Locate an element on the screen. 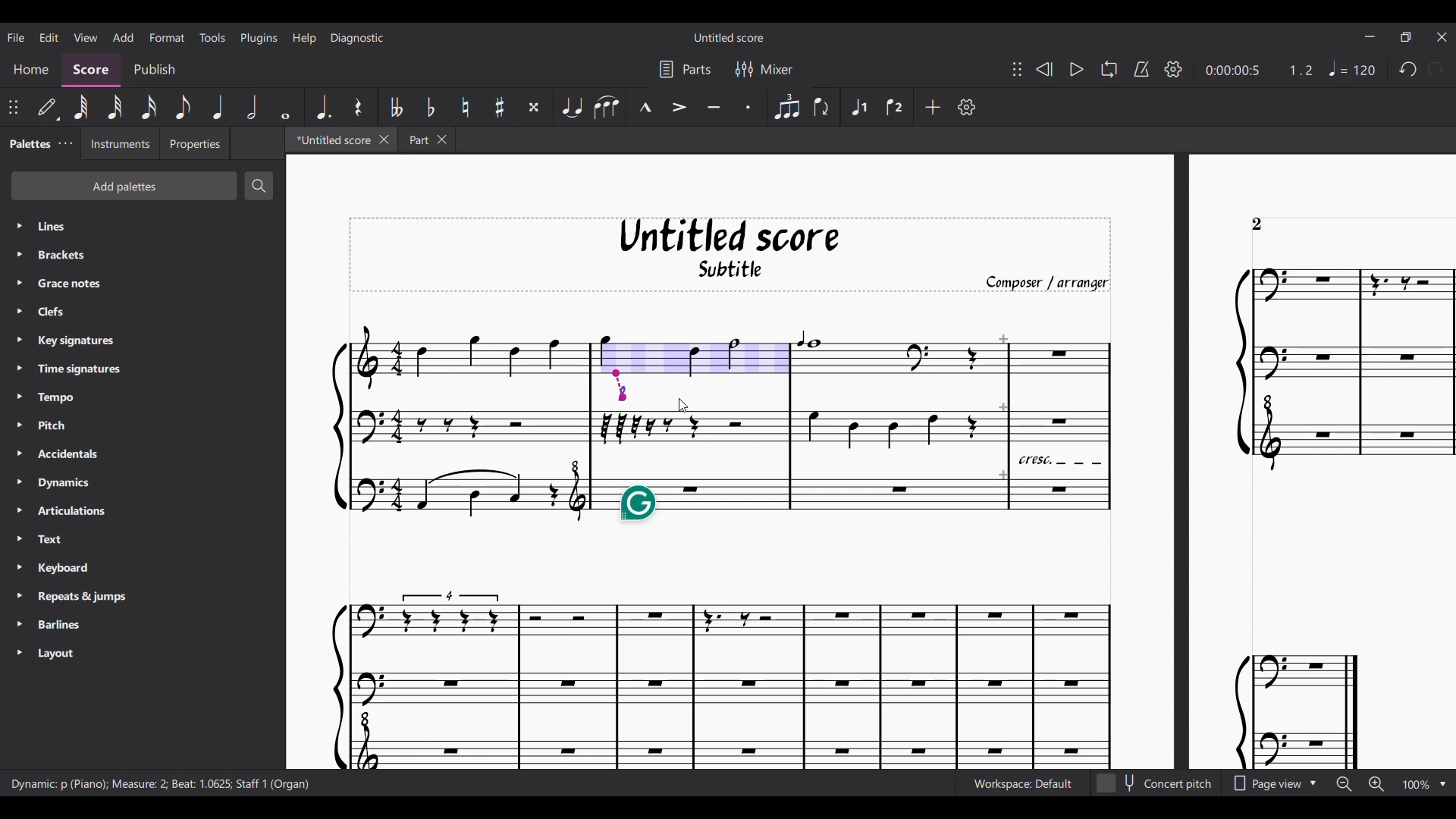 This screenshot has height=819, width=1456. Whole note is located at coordinates (285, 106).